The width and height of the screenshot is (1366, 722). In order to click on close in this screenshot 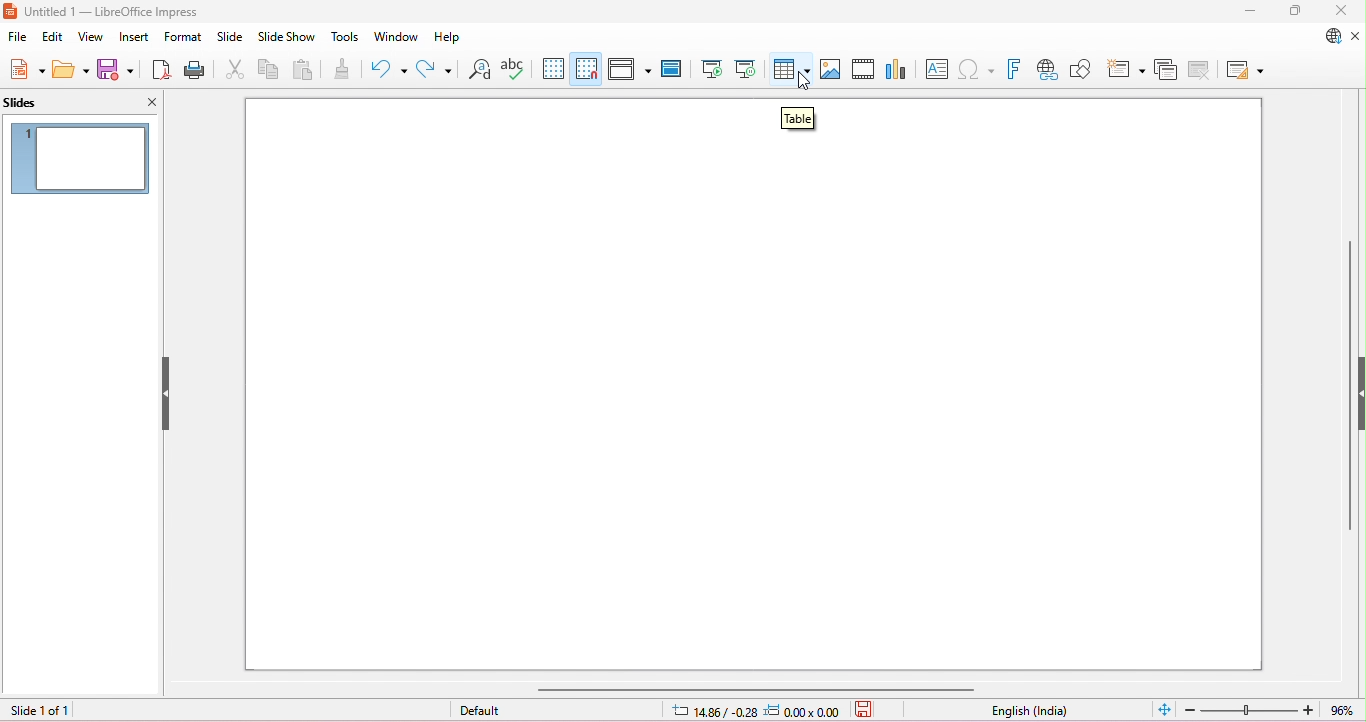, I will do `click(152, 101)`.